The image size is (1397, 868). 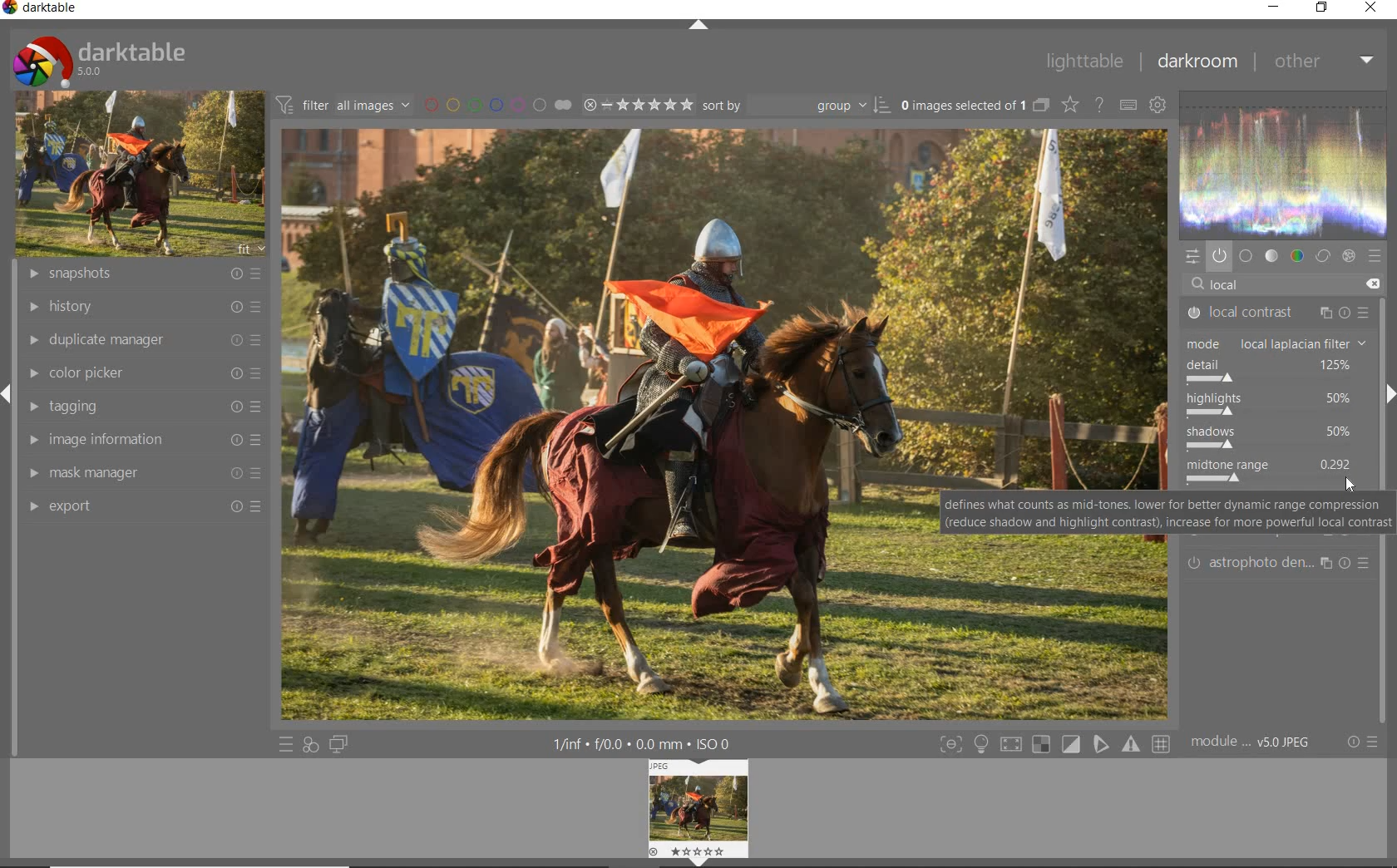 I want to click on mask manager, so click(x=141, y=474).